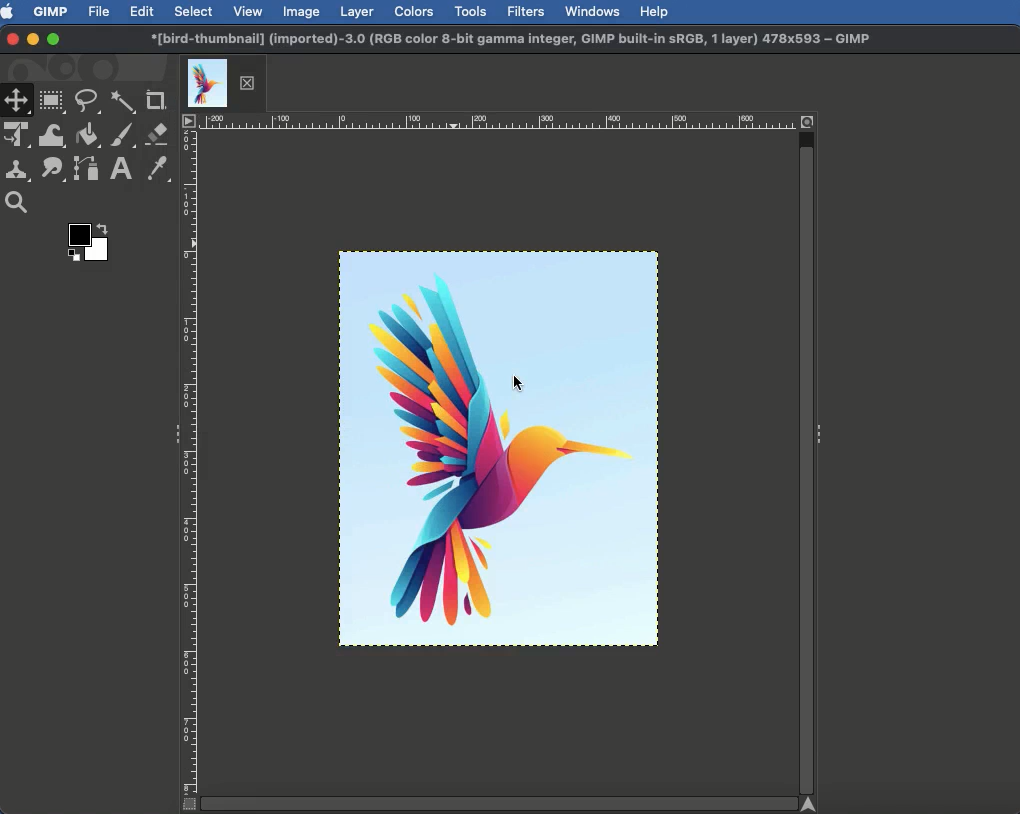  Describe the element at coordinates (141, 11) in the screenshot. I see `Edit` at that location.